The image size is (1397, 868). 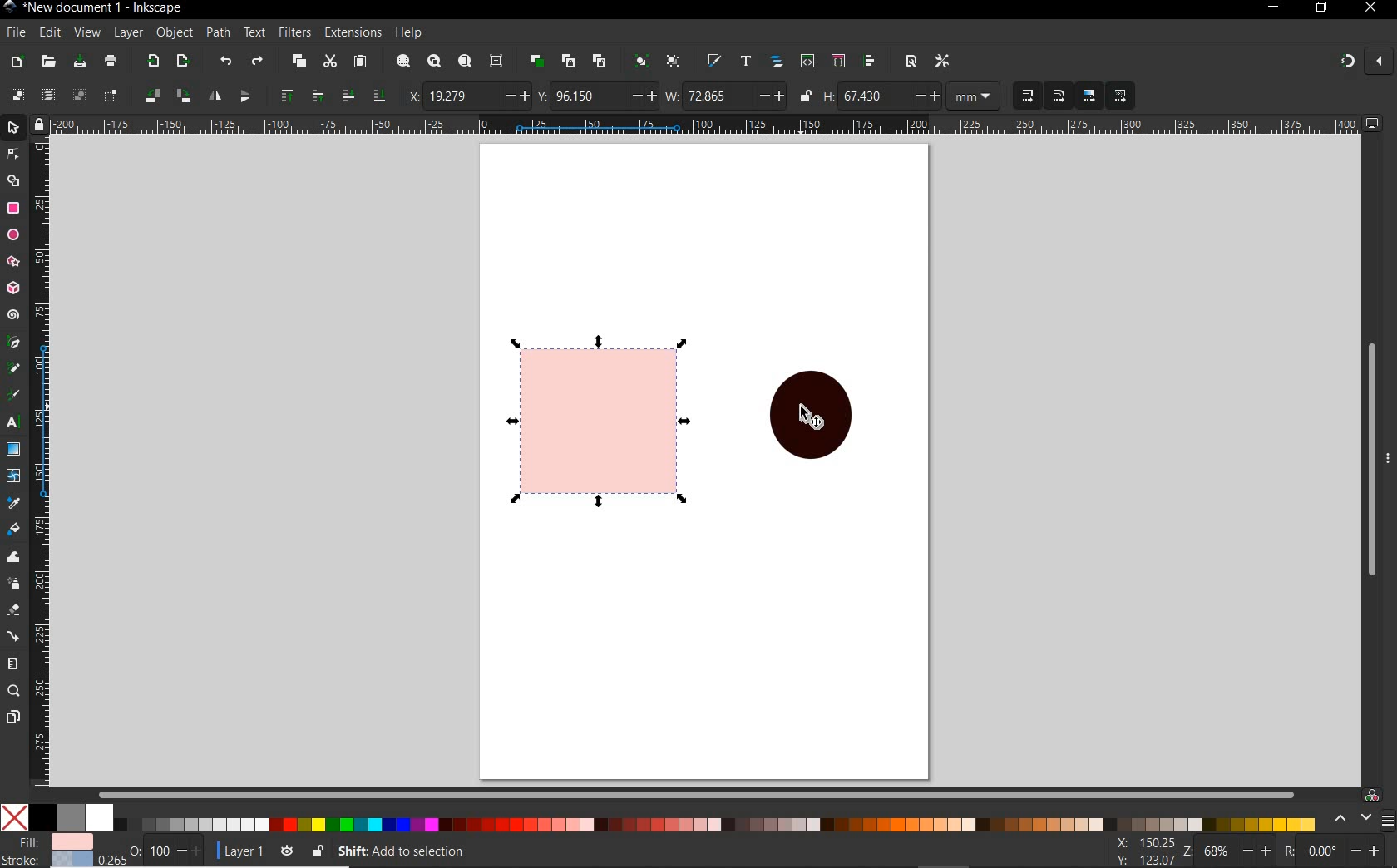 I want to click on dropper tool, so click(x=12, y=501).